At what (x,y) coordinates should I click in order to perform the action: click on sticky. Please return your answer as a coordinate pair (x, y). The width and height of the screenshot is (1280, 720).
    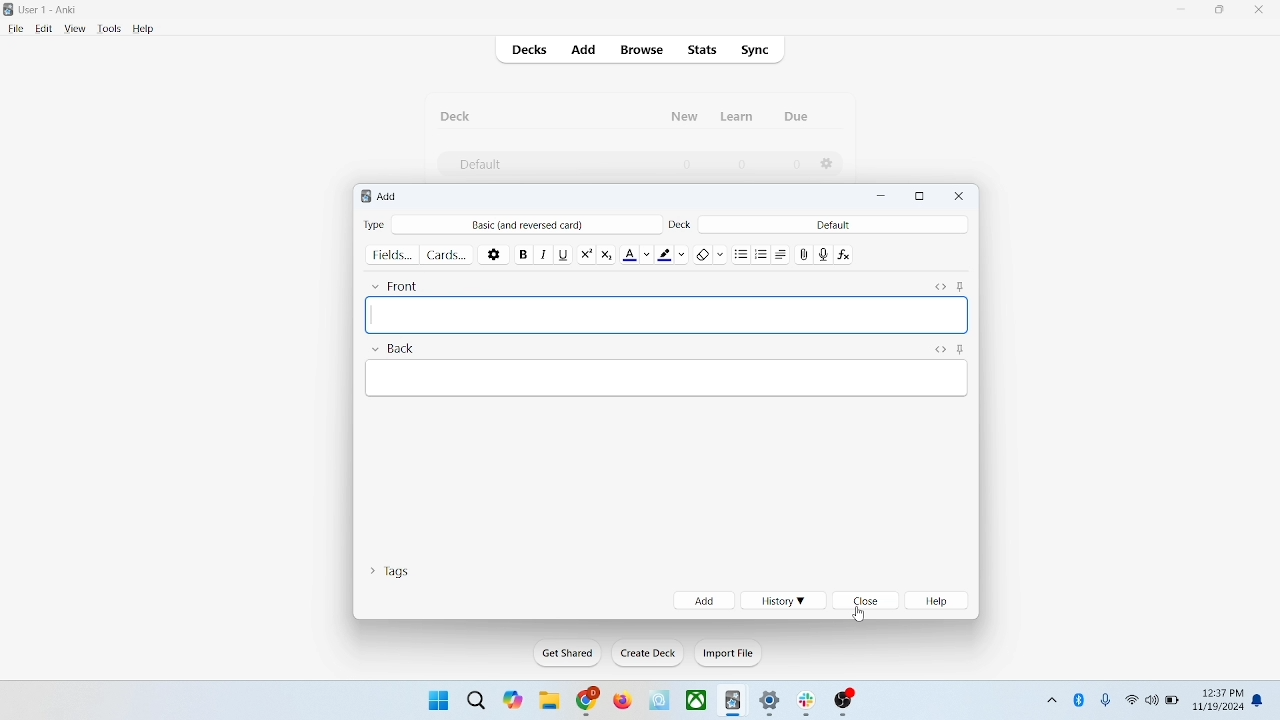
    Looking at the image, I should click on (960, 284).